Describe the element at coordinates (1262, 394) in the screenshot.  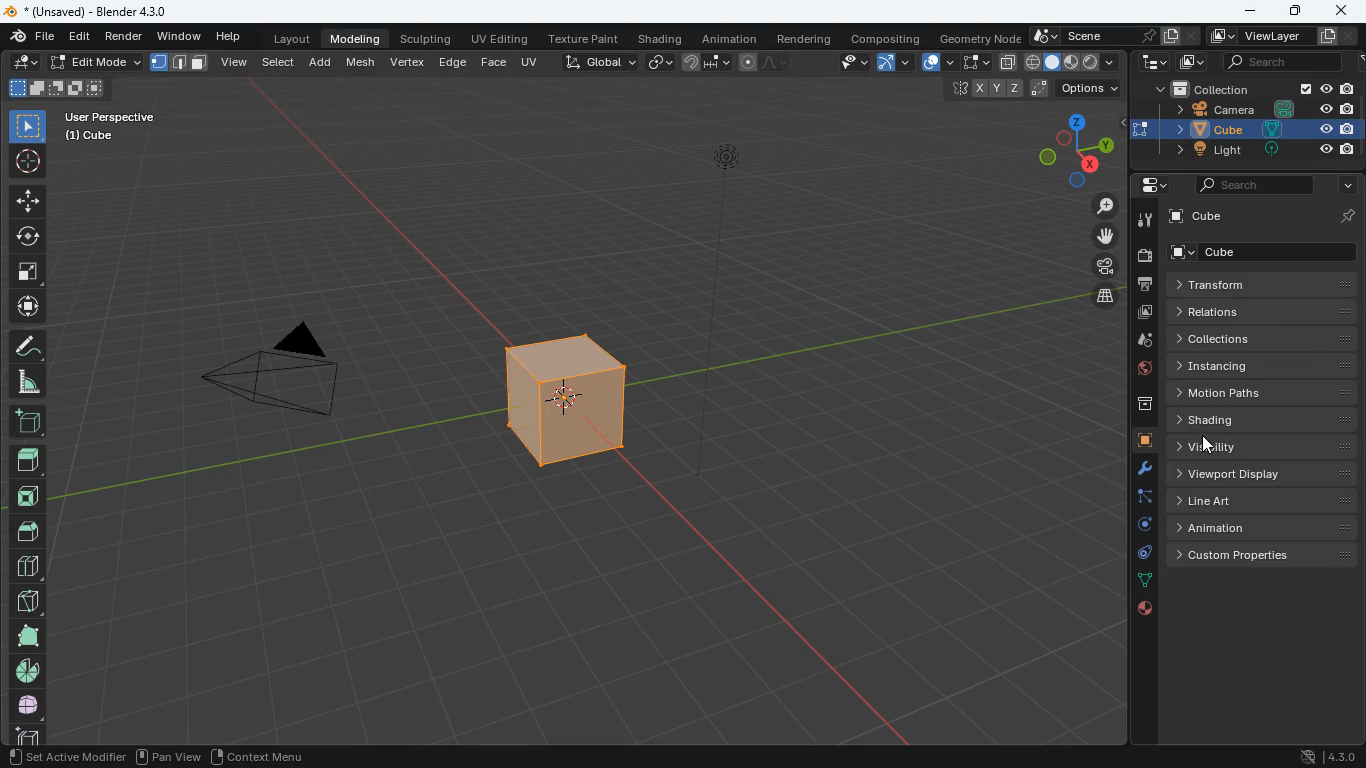
I see `motion paths` at that location.